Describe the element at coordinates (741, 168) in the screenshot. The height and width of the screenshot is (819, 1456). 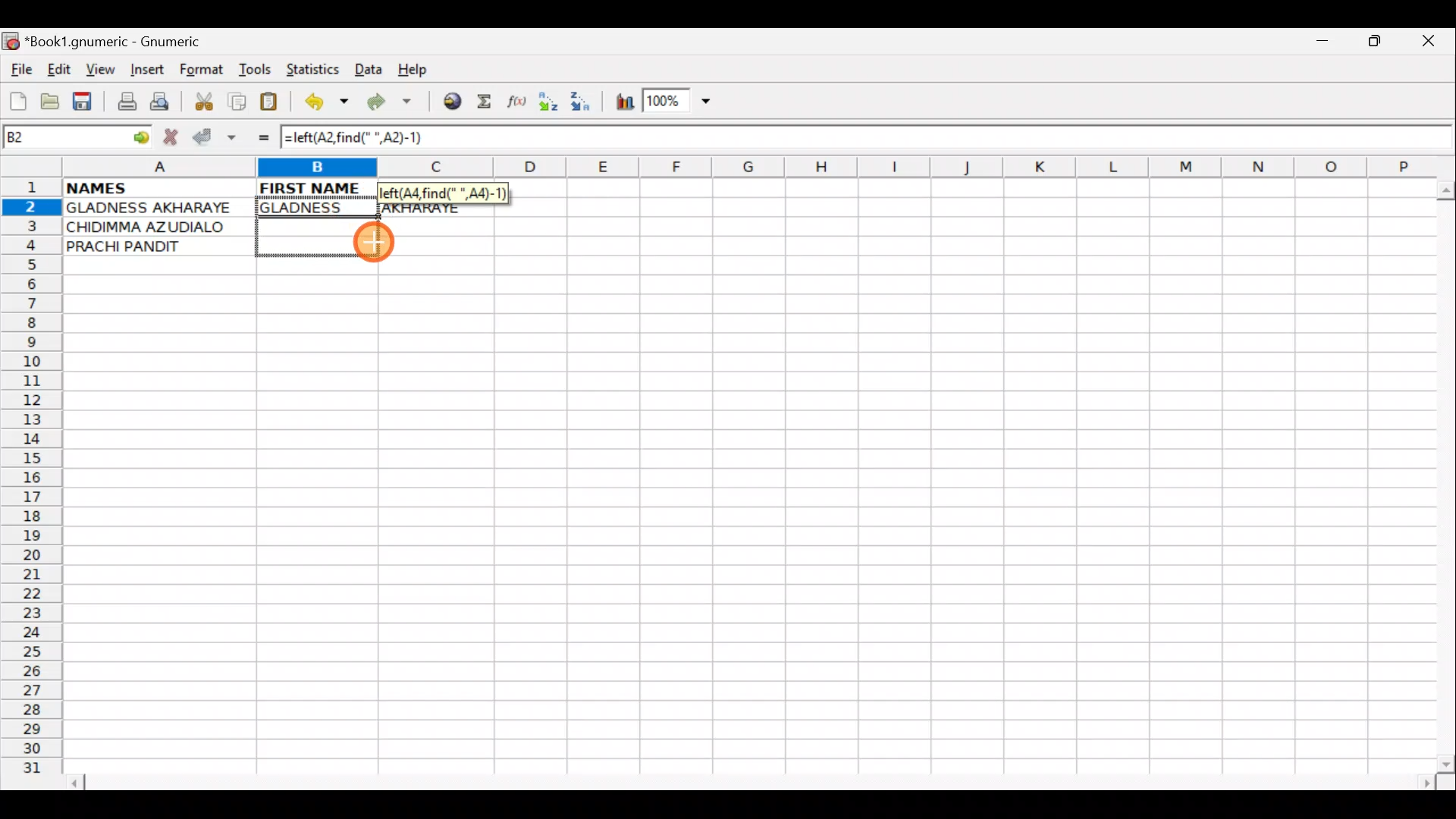
I see `Columns` at that location.